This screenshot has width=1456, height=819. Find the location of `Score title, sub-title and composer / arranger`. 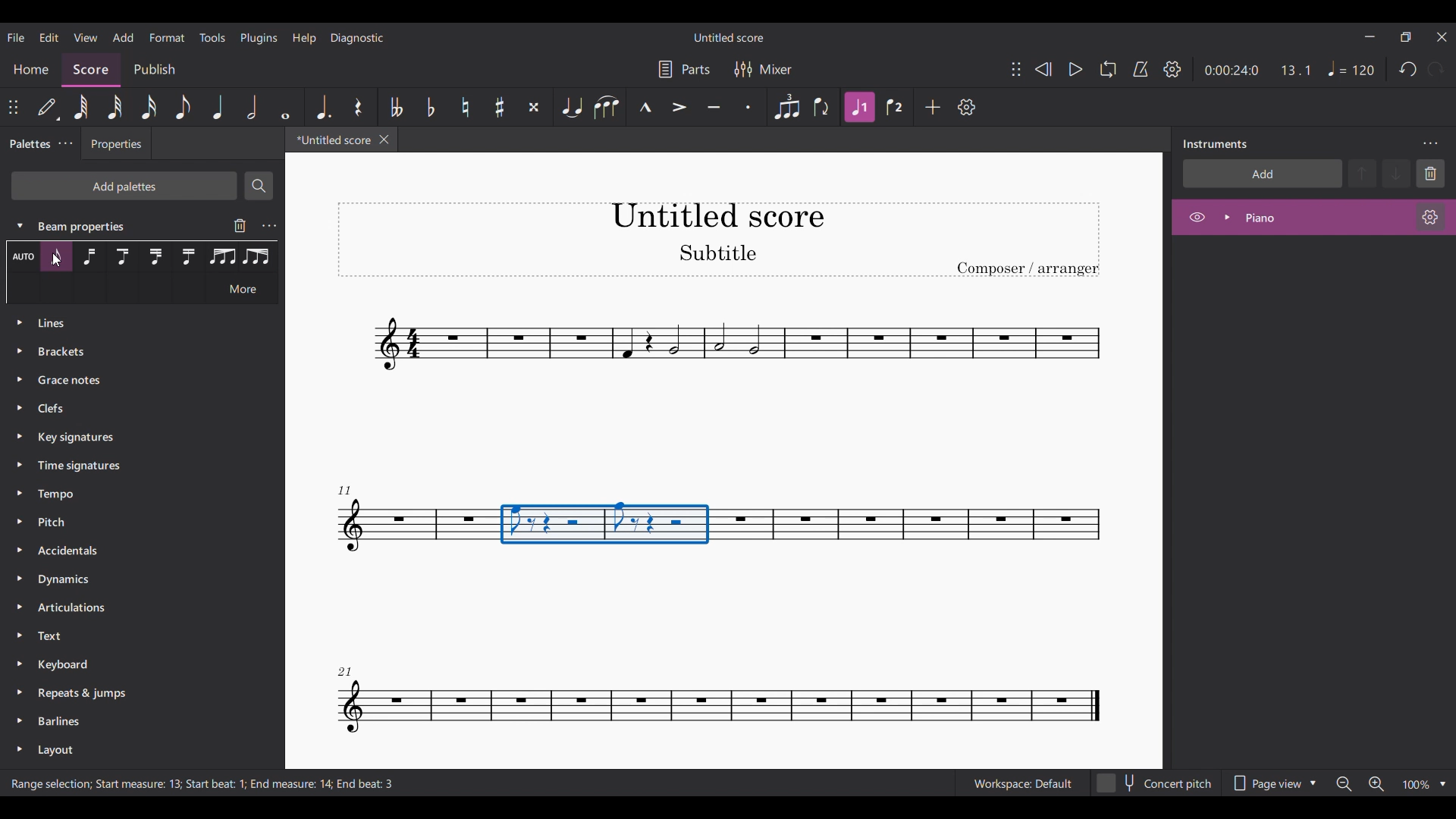

Score title, sub-title and composer / arranger is located at coordinates (718, 240).